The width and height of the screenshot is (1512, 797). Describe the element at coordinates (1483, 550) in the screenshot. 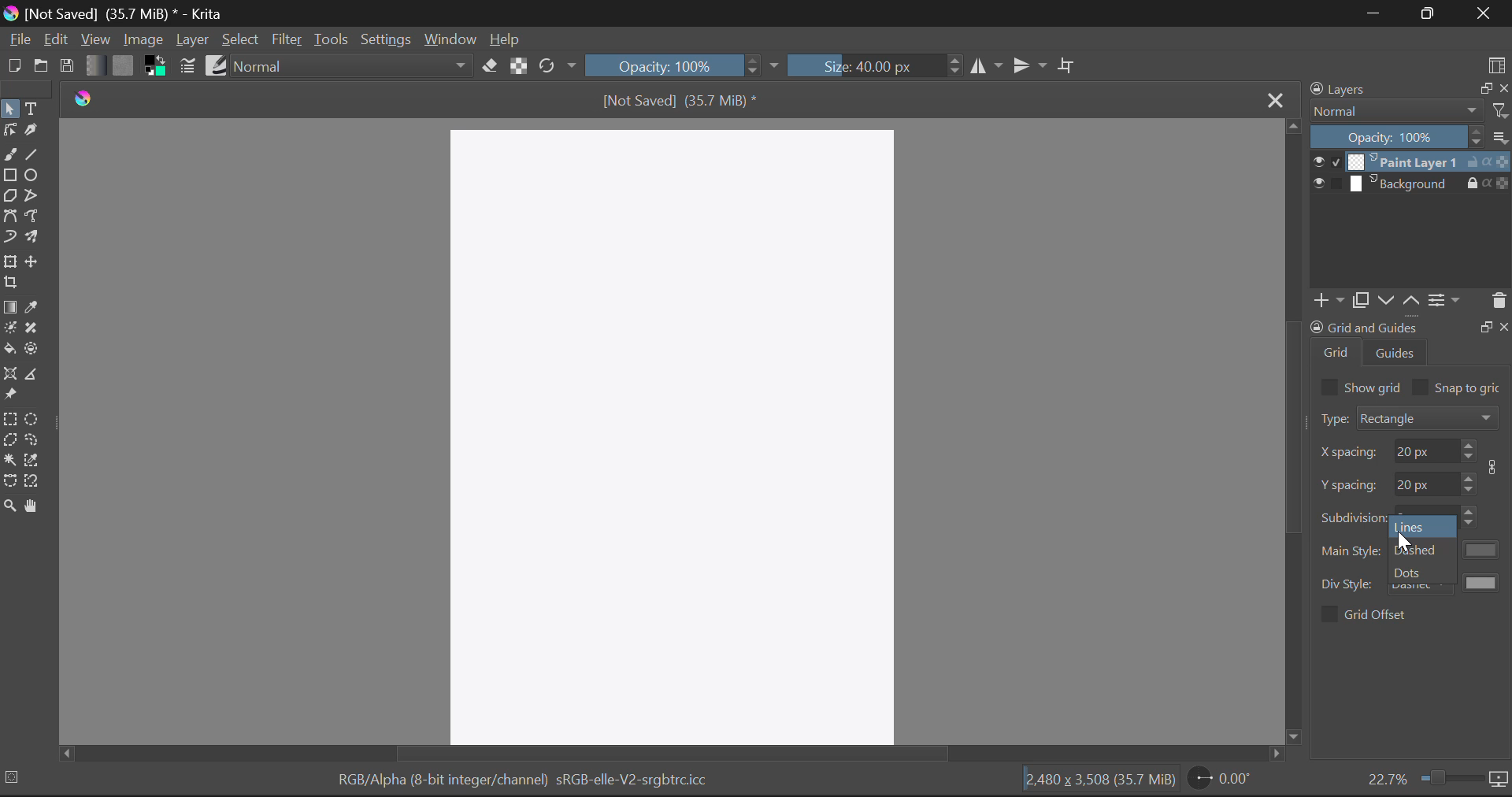

I see `color` at that location.